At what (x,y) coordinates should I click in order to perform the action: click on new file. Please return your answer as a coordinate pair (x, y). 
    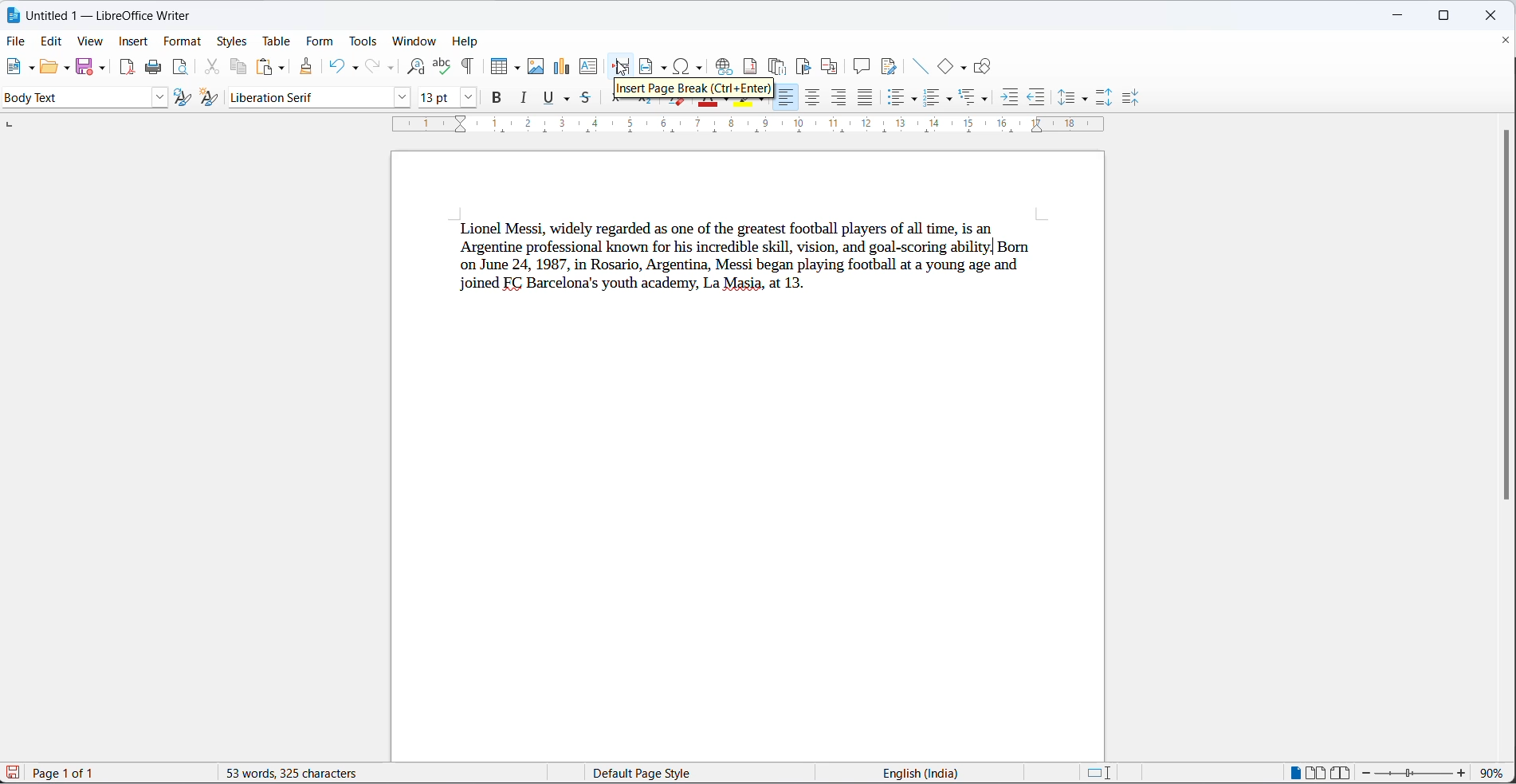
    Looking at the image, I should click on (10, 67).